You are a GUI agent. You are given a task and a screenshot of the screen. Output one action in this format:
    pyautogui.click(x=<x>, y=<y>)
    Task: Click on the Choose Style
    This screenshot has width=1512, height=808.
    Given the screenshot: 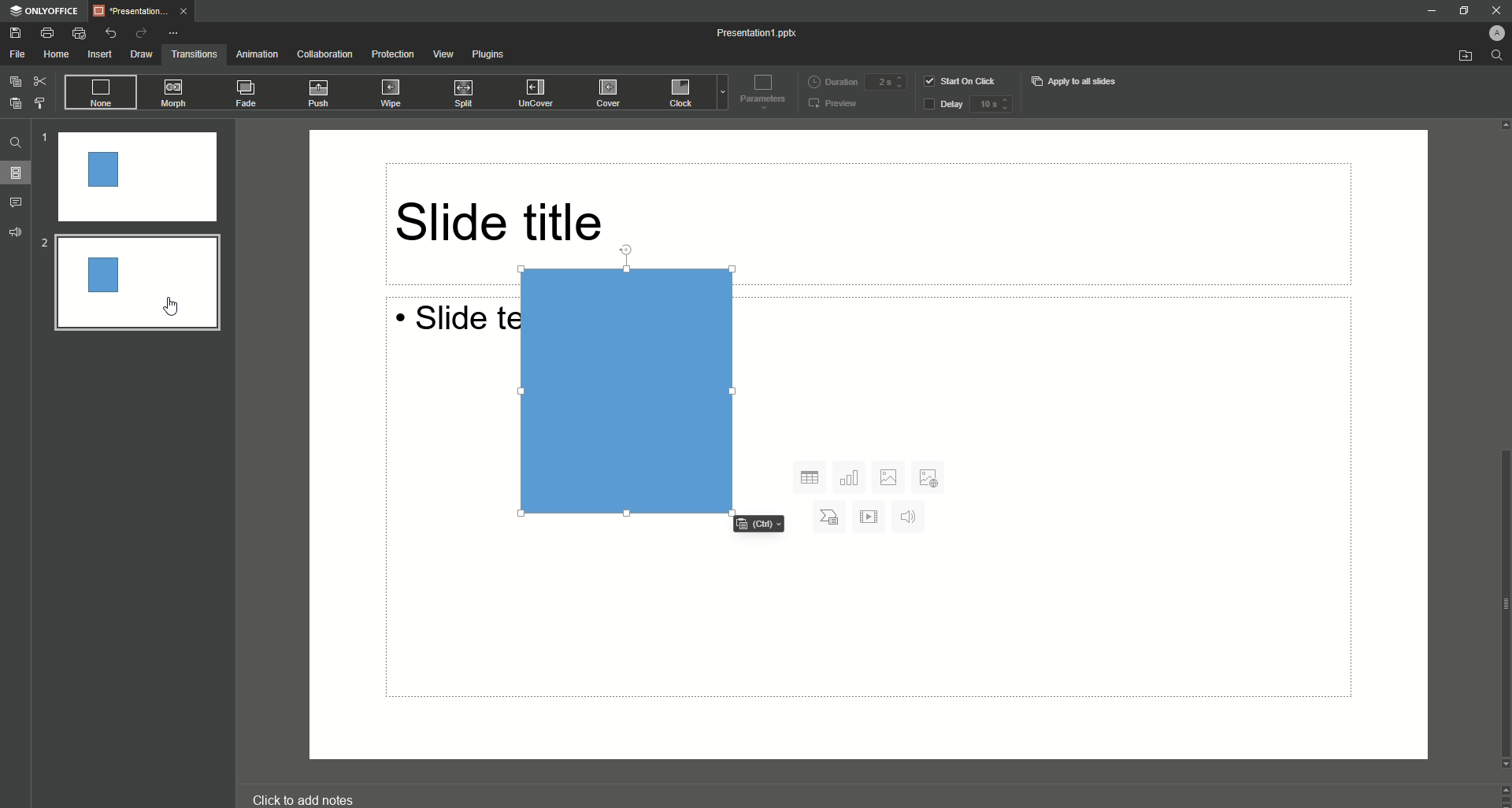 What is the action you would take?
    pyautogui.click(x=43, y=103)
    